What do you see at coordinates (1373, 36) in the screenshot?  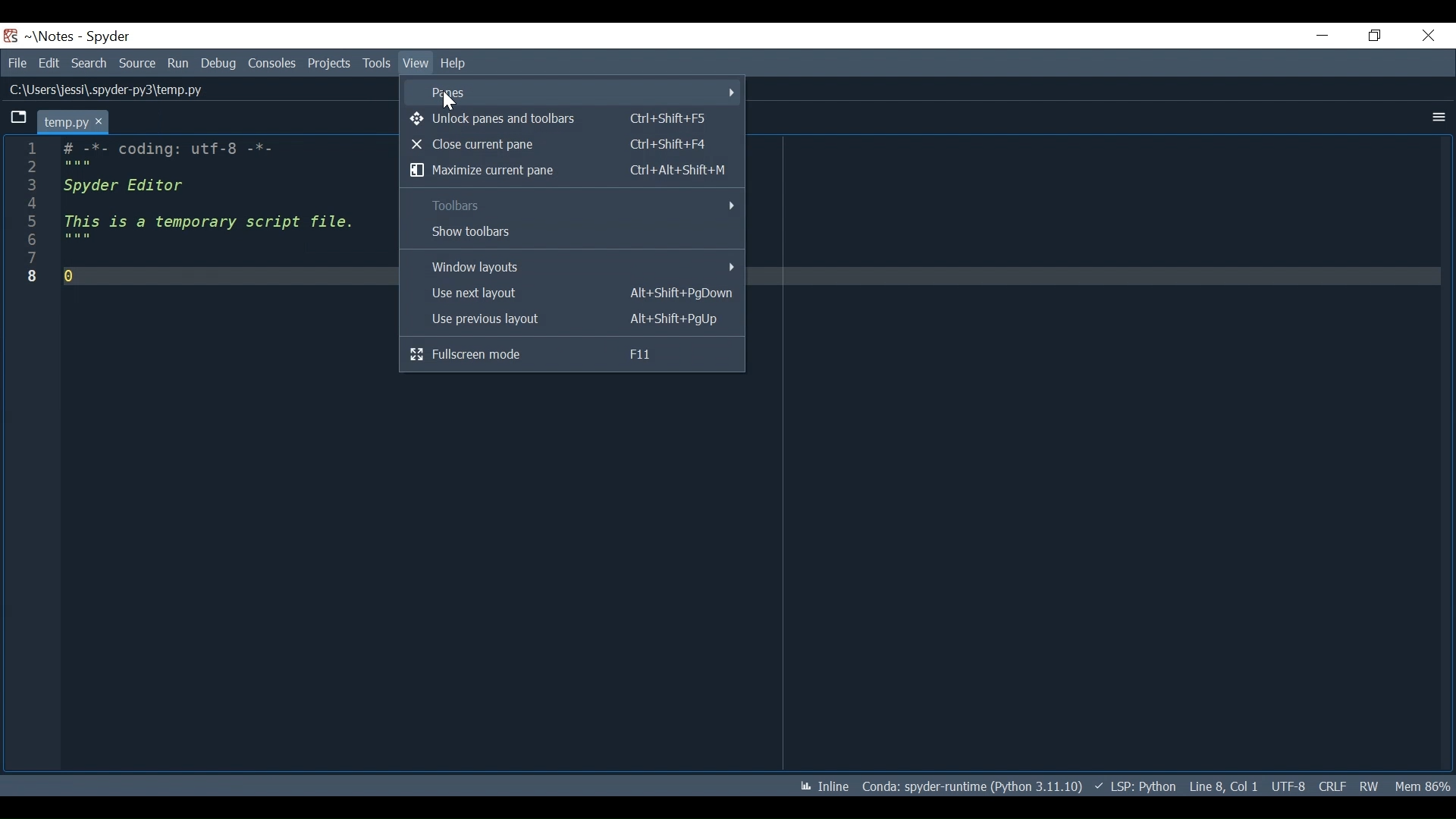 I see `Restore` at bounding box center [1373, 36].